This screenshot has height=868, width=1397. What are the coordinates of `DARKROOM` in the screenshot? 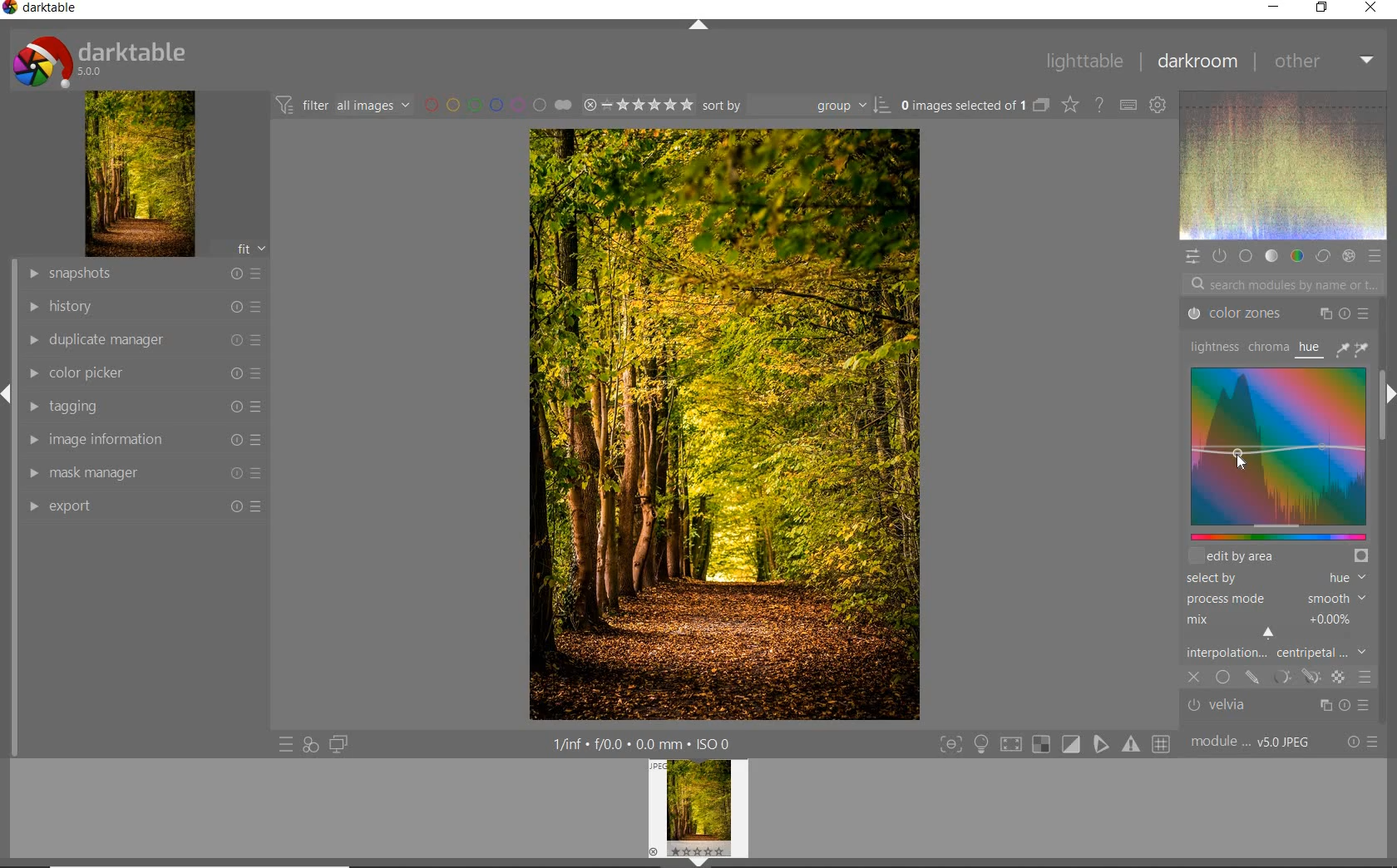 It's located at (1198, 63).